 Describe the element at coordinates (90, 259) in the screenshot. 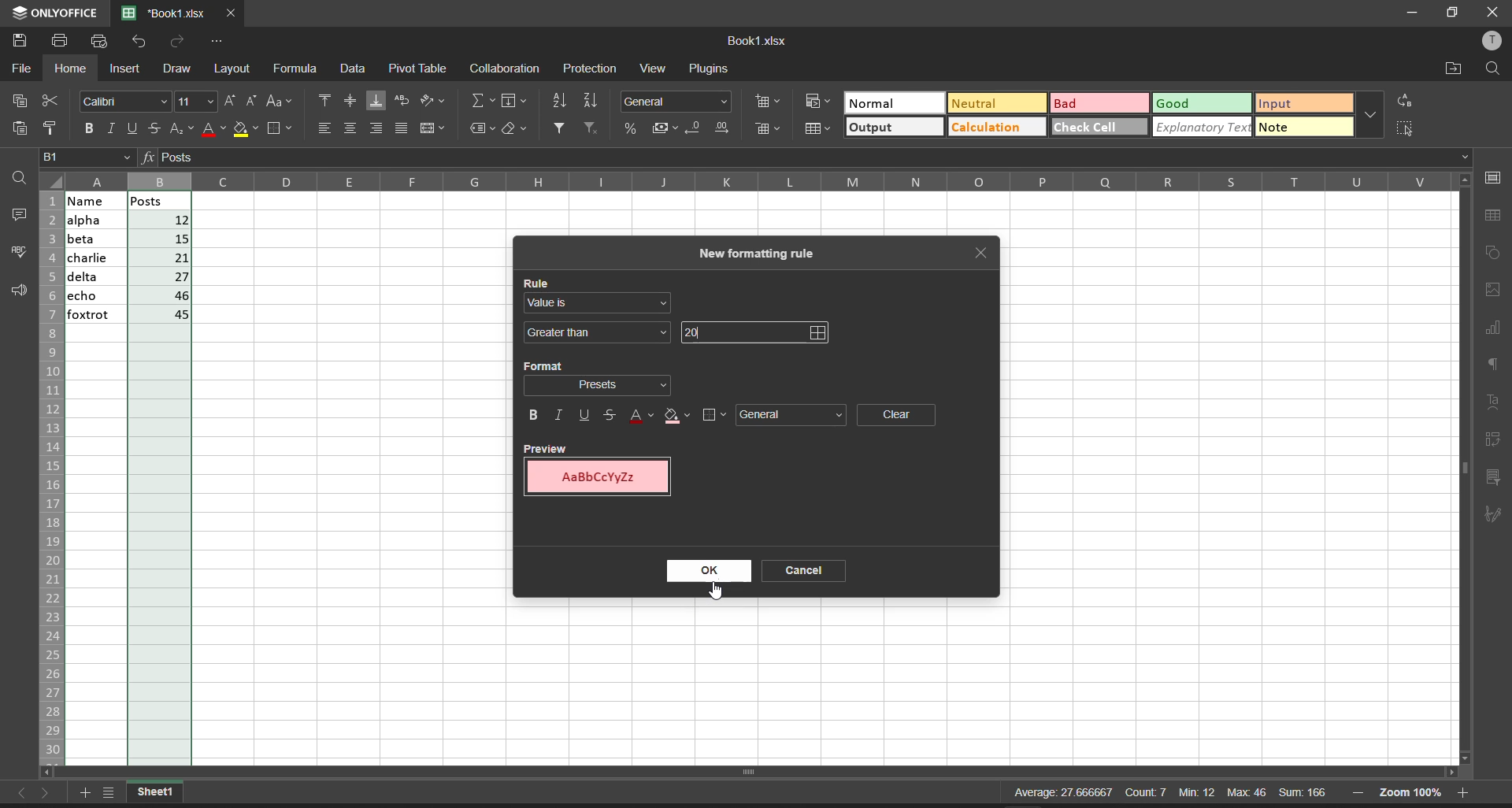

I see `name` at that location.